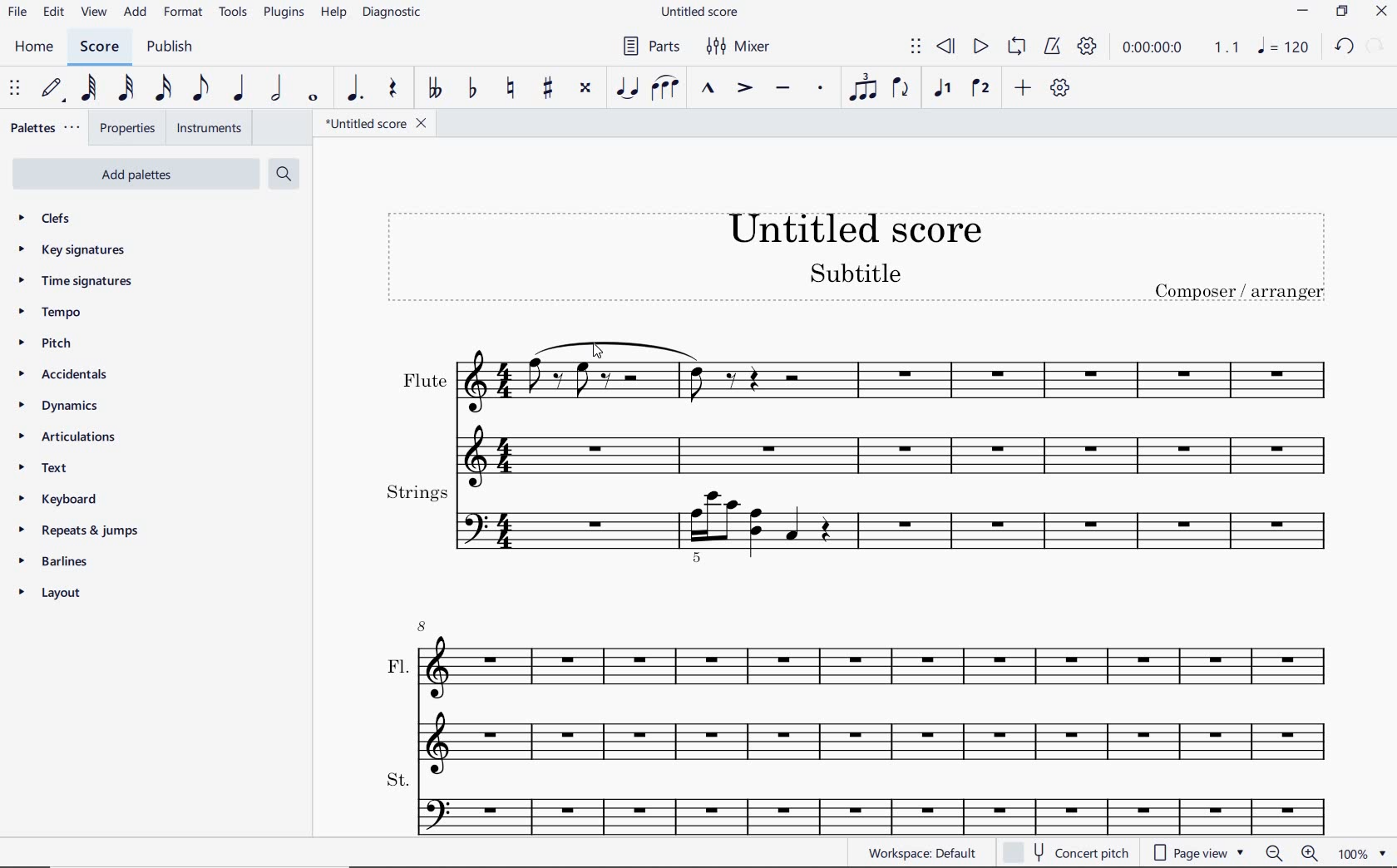  Describe the element at coordinates (432, 88) in the screenshot. I see `TOGGLE DOUBLE-FLAT` at that location.